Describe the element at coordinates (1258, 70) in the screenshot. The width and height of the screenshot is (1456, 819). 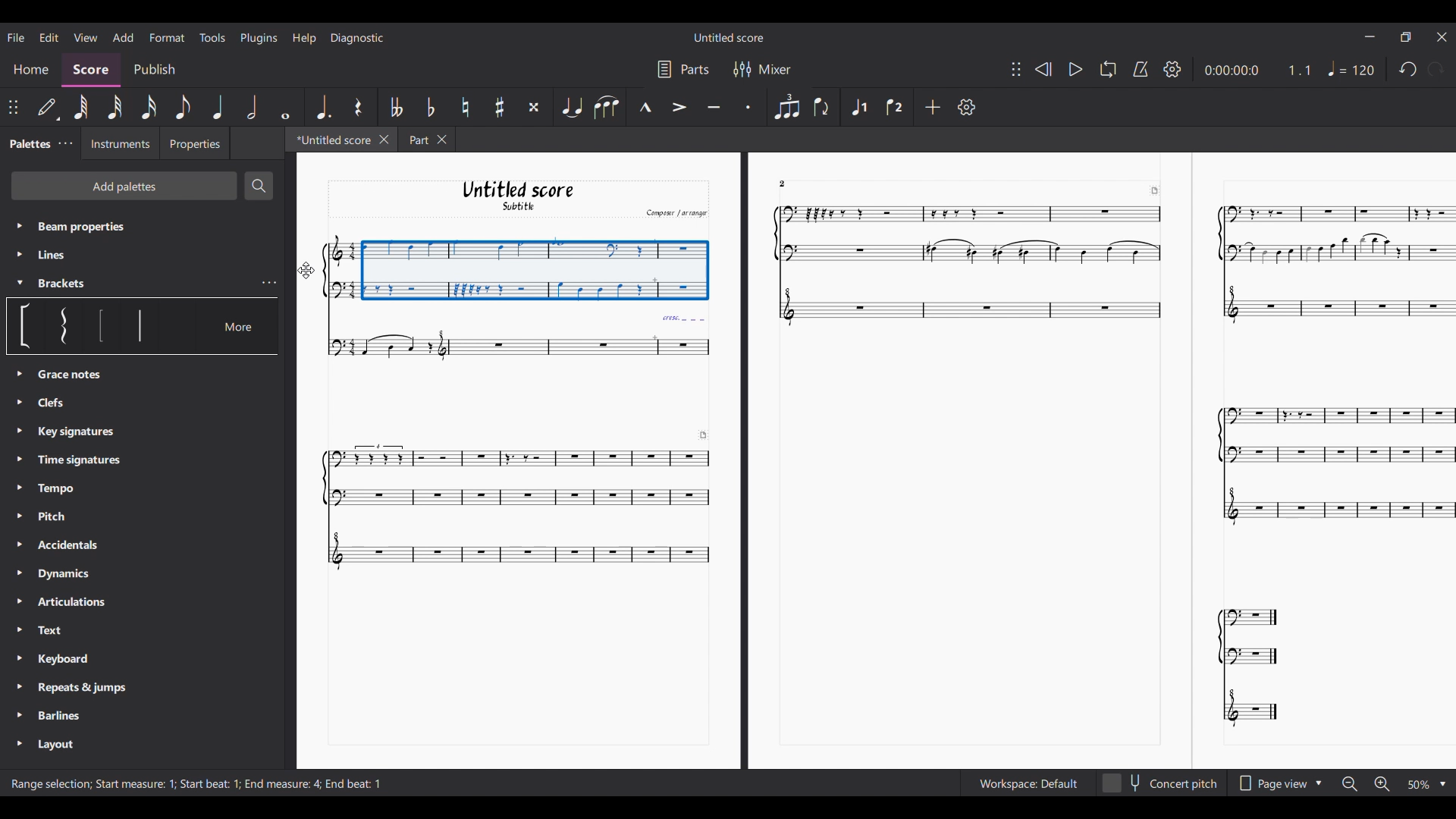
I see `Current duration and ratio` at that location.